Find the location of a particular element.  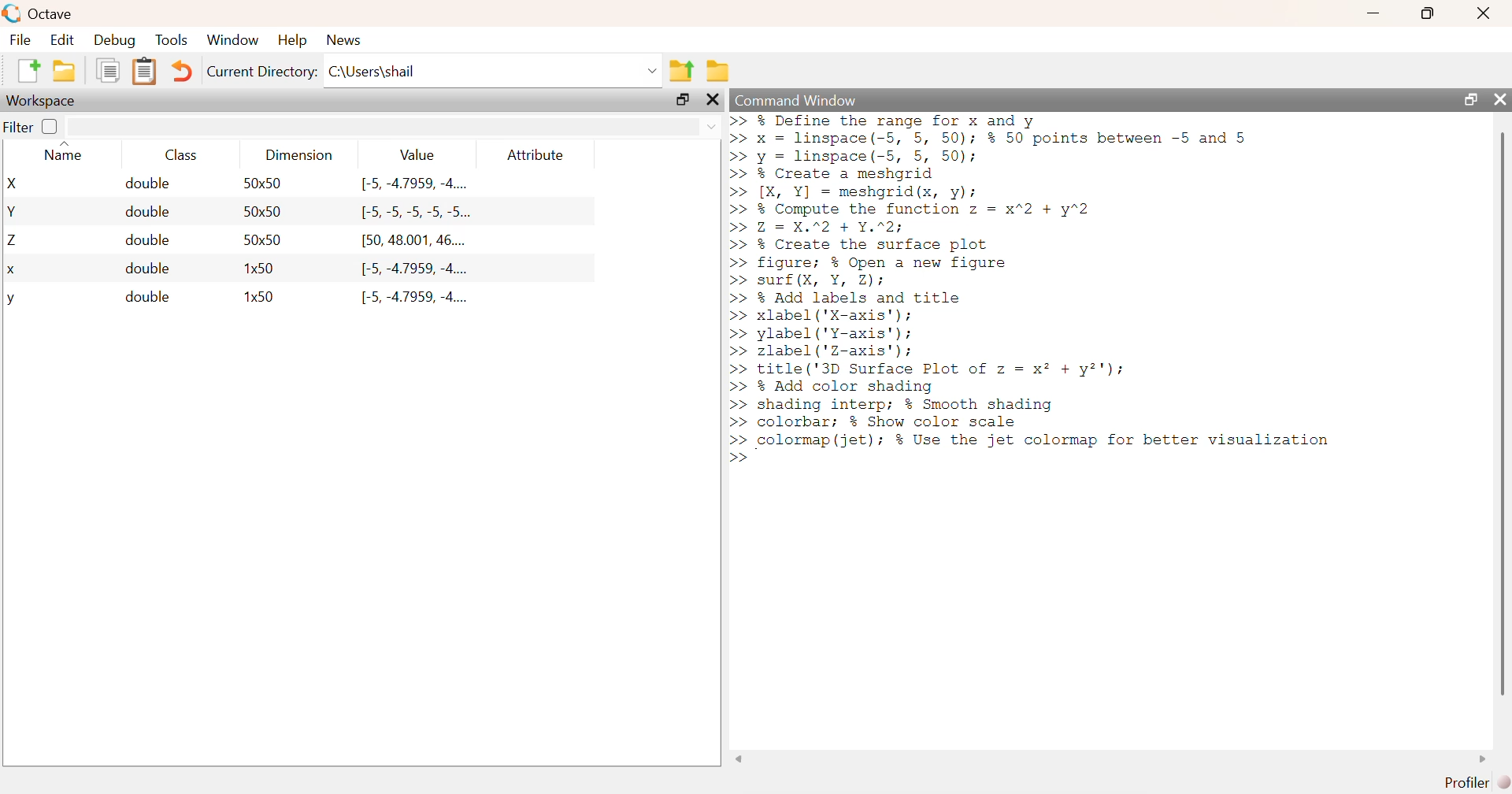

Clipboard is located at coordinates (143, 72).